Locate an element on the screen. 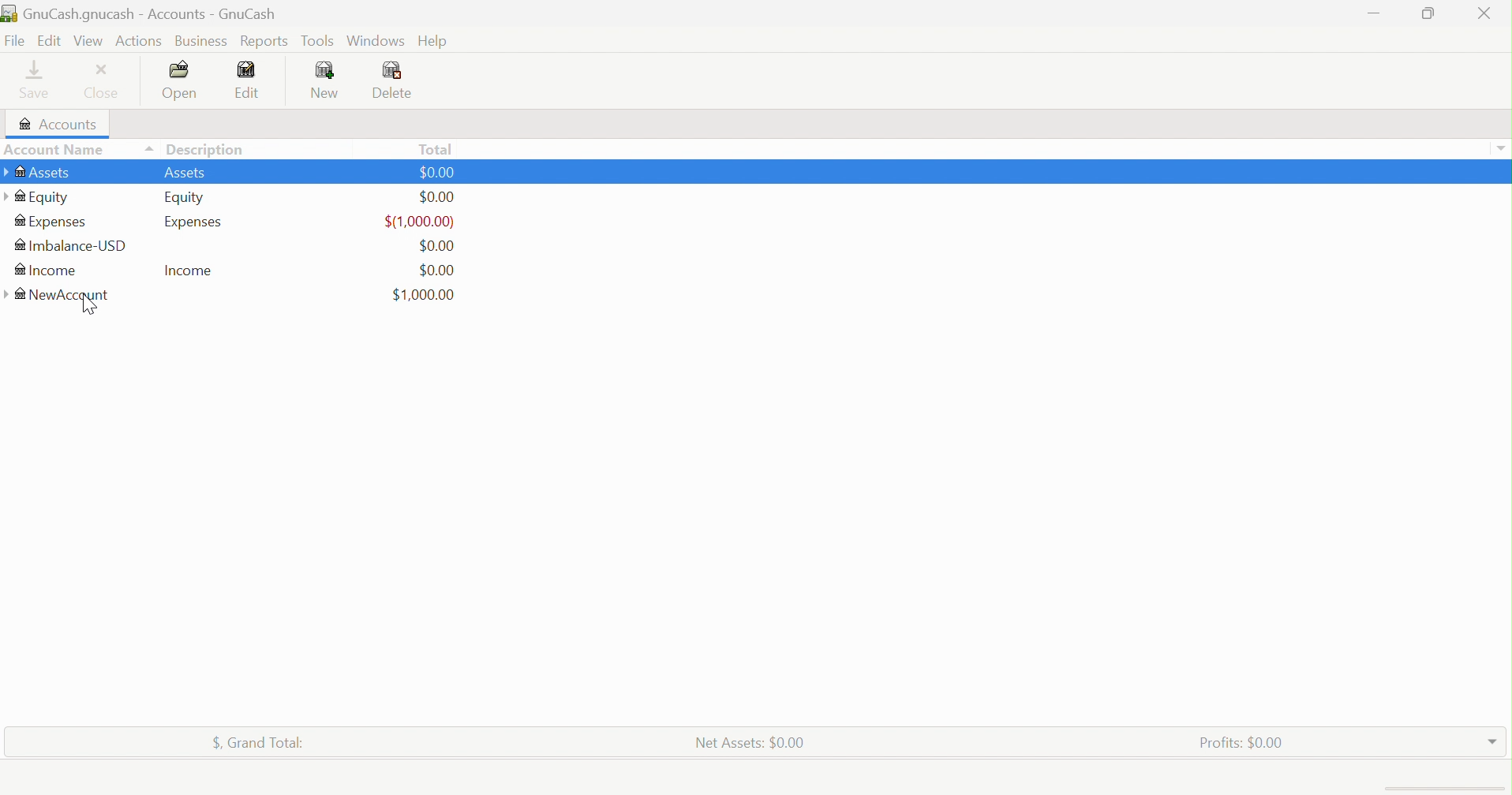 The height and width of the screenshot is (795, 1512). Income is located at coordinates (188, 271).